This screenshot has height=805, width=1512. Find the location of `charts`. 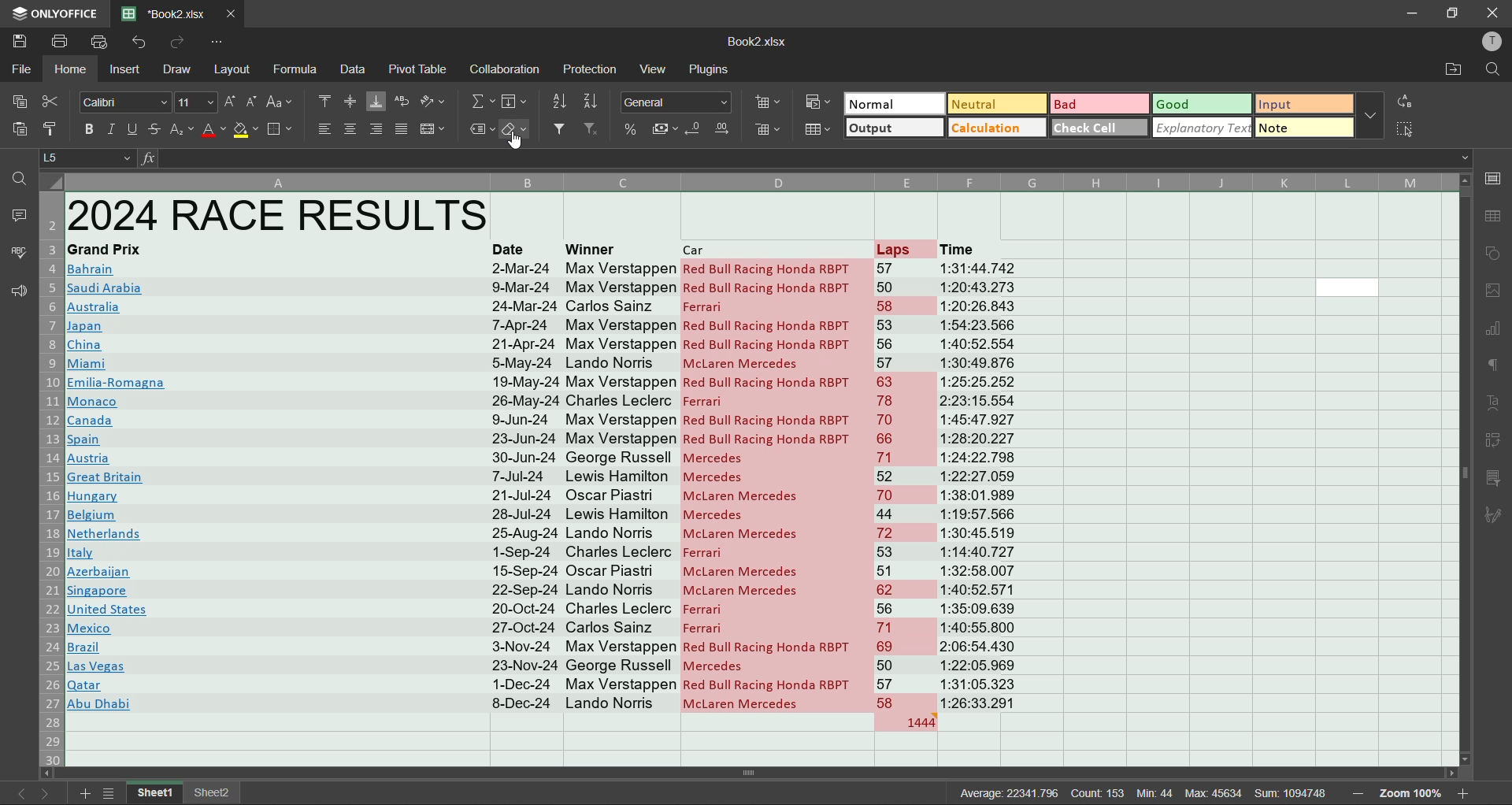

charts is located at coordinates (1492, 332).